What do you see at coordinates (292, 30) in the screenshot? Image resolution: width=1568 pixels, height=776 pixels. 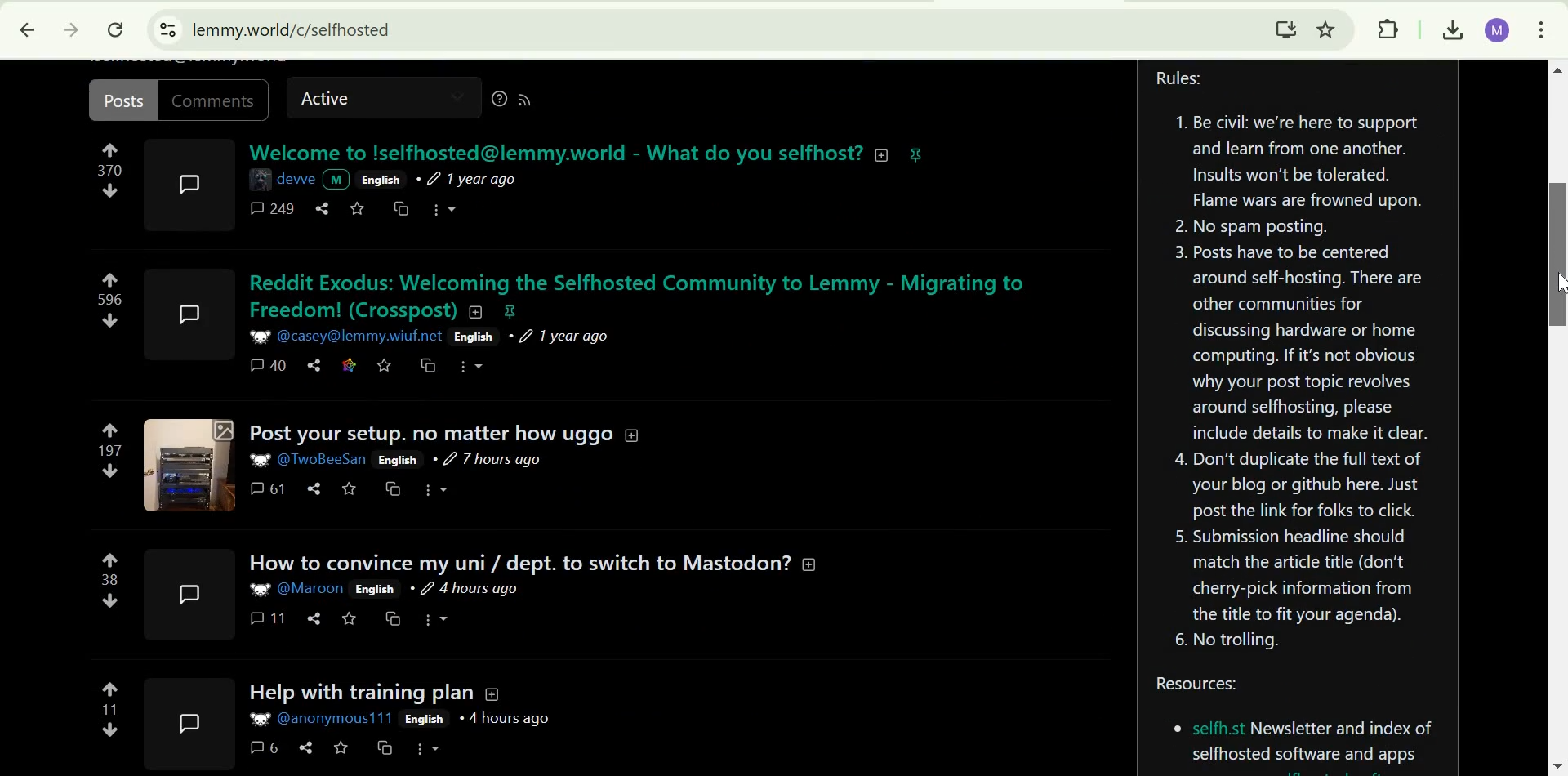 I see `lemmy.world/c/selfhosted` at bounding box center [292, 30].